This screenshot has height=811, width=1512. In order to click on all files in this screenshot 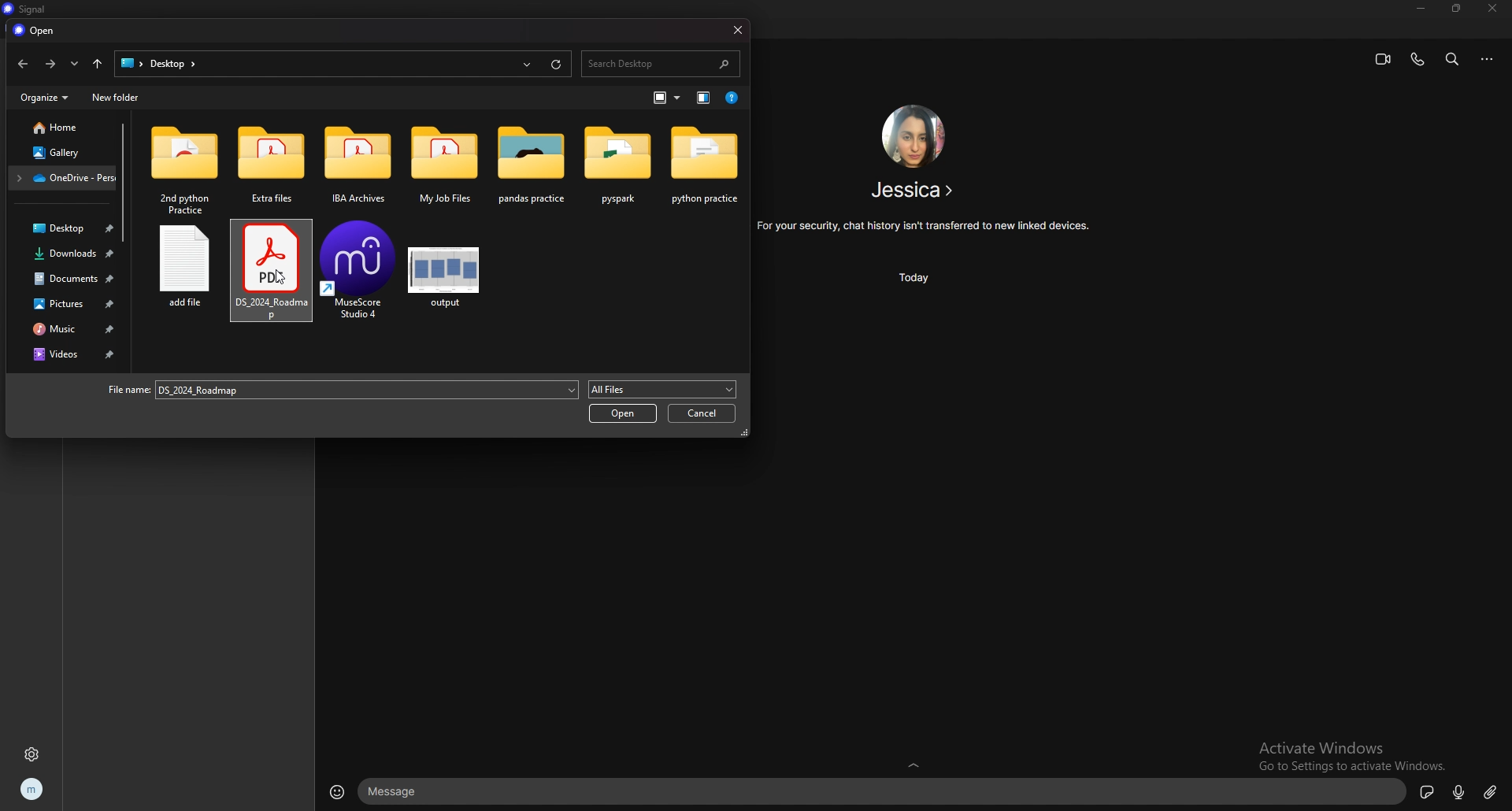, I will do `click(661, 389)`.